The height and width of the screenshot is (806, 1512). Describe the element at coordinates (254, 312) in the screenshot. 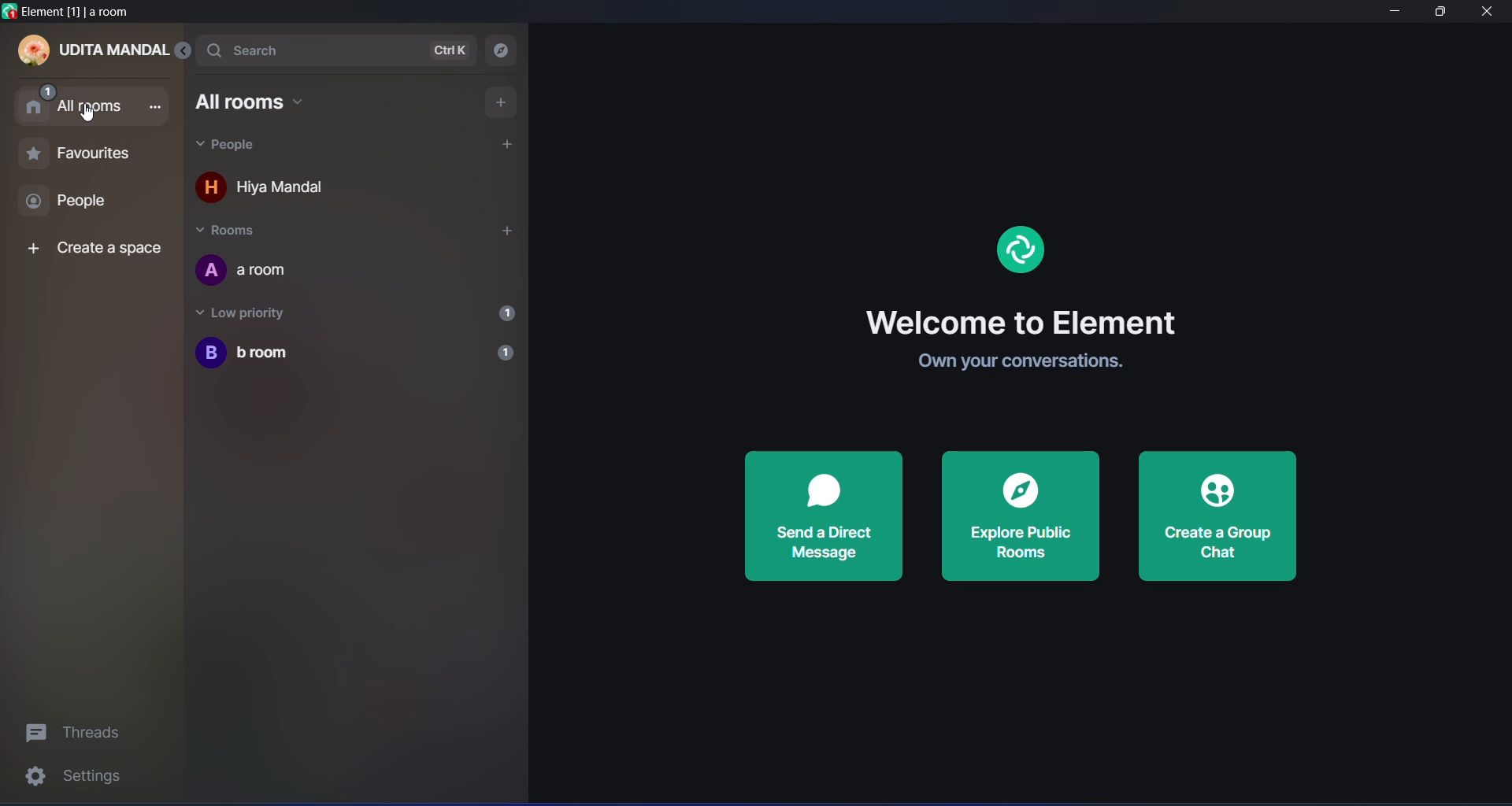

I see `~ Low priority` at that location.